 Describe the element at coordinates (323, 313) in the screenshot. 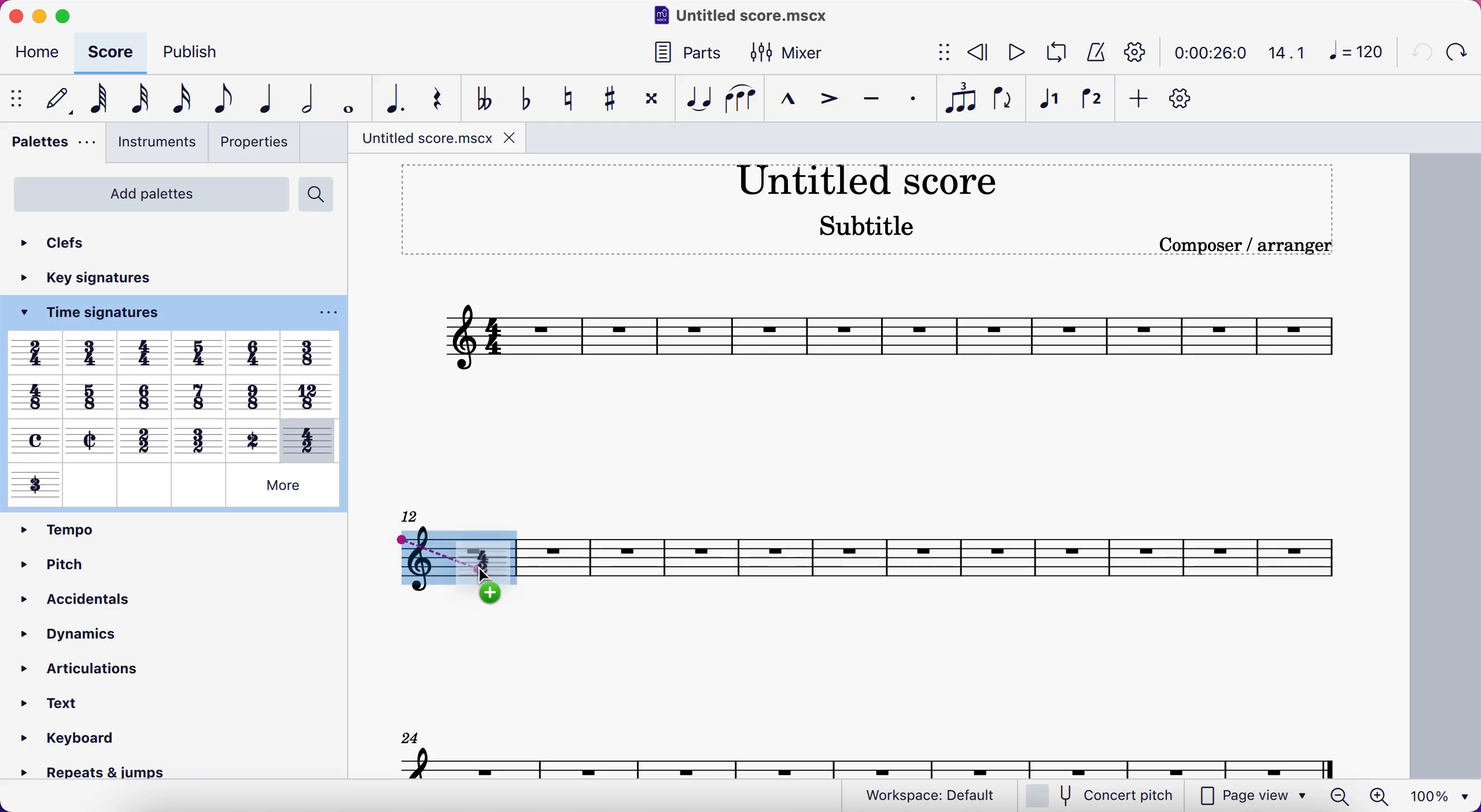

I see `options` at that location.